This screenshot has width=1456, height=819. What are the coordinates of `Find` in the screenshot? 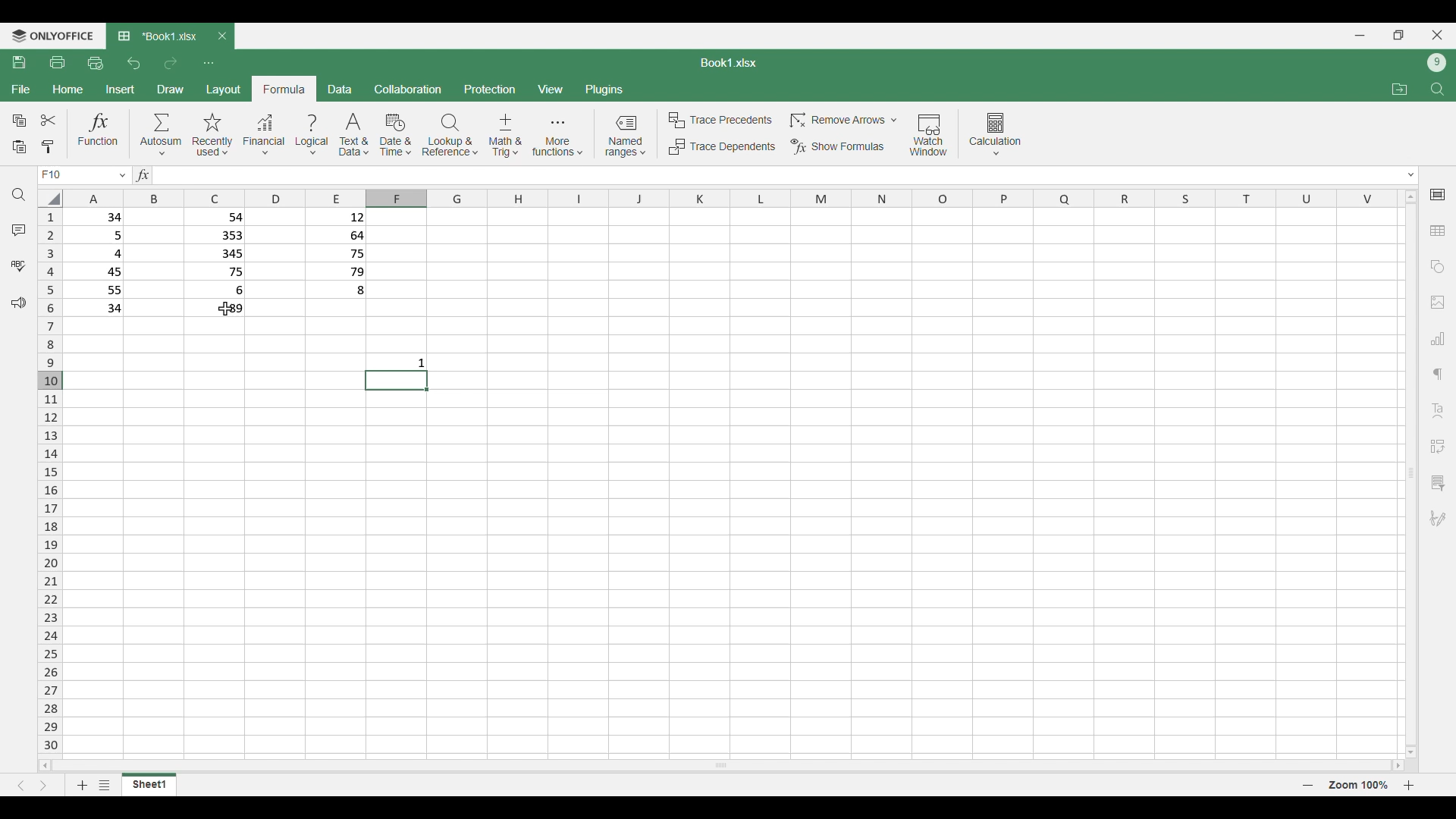 It's located at (1437, 89).